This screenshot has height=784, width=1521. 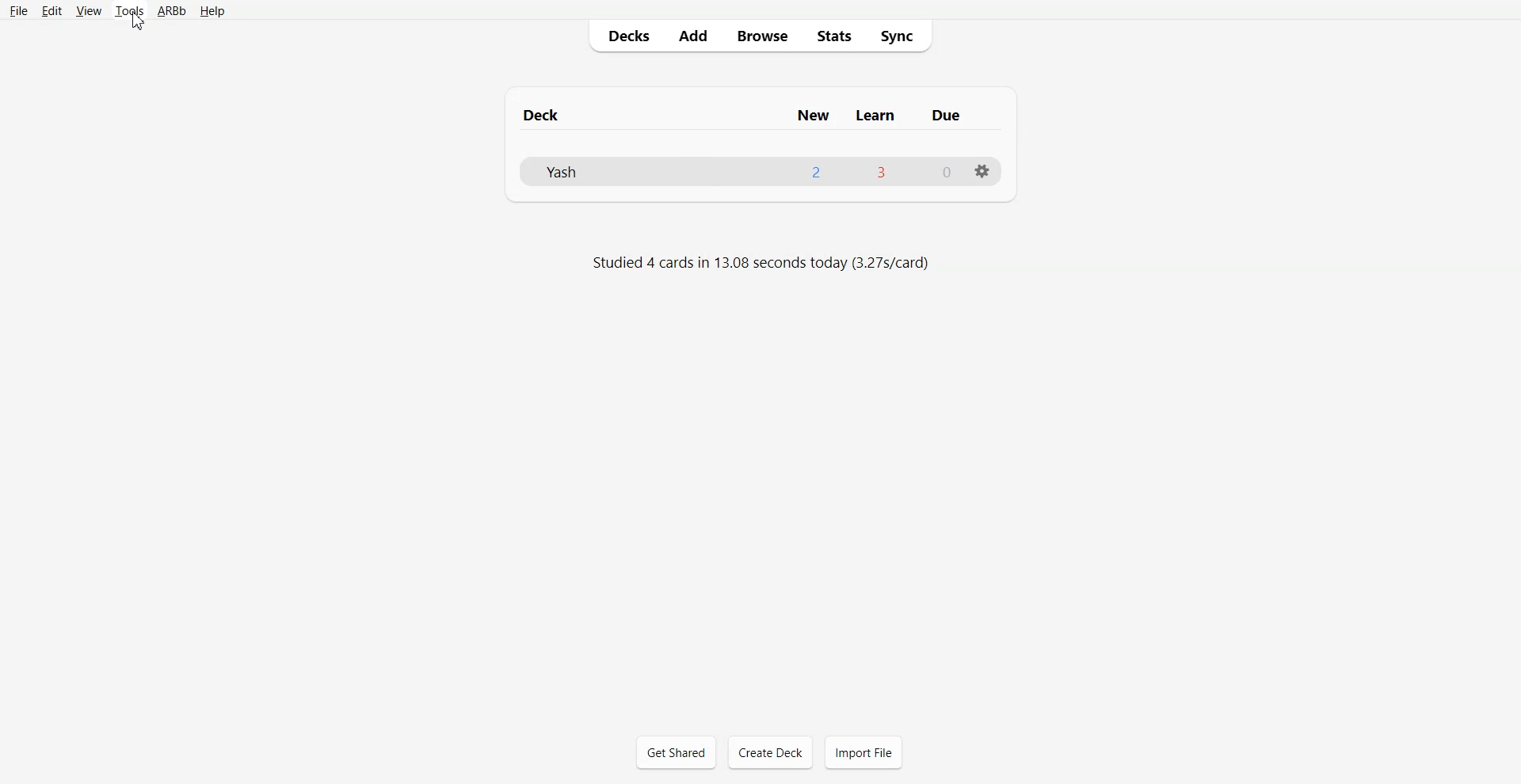 I want to click on Deck New Learn Due, so click(x=750, y=115).